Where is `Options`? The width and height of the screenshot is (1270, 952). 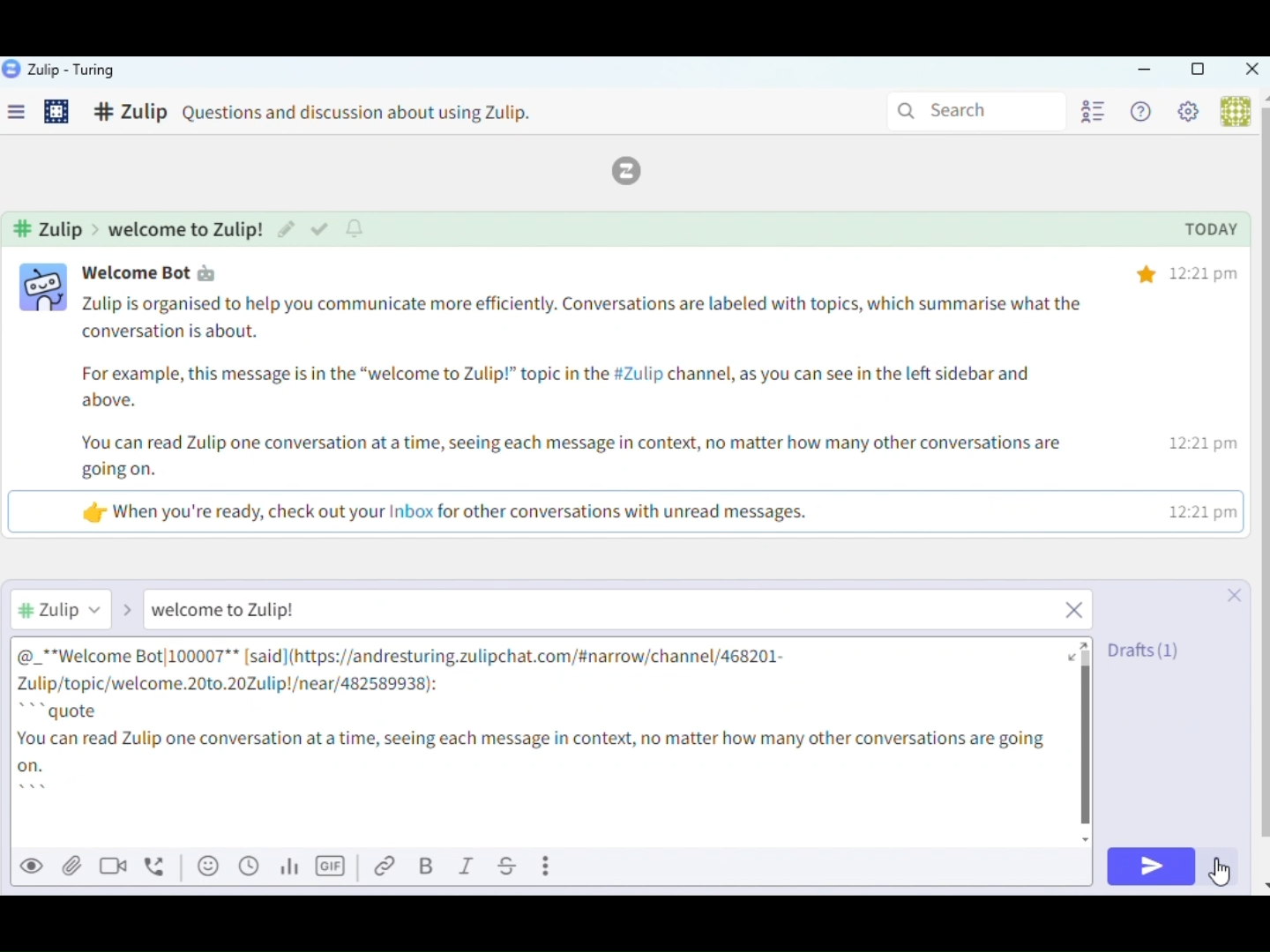 Options is located at coordinates (1221, 867).